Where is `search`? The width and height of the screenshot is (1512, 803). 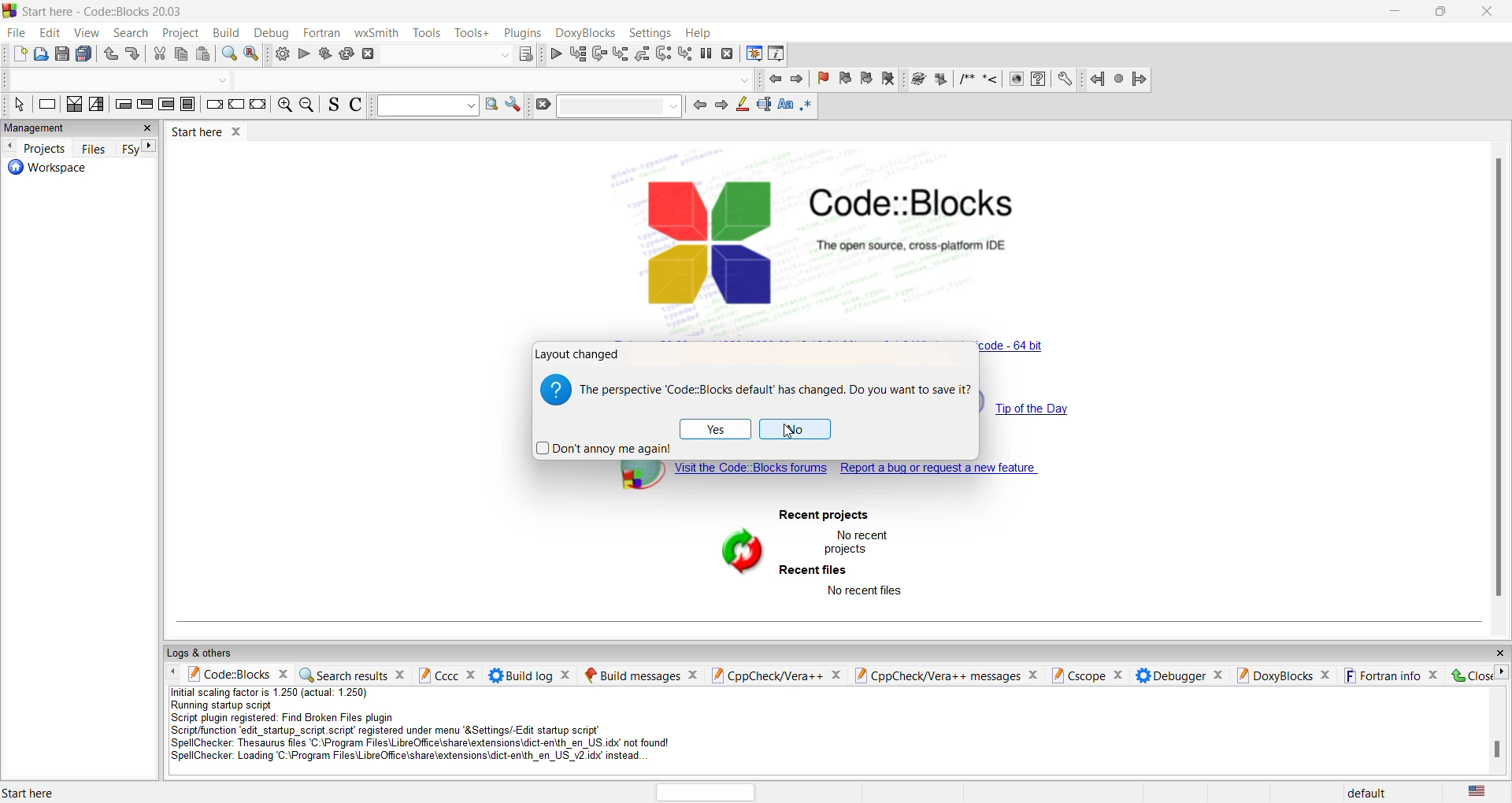
search is located at coordinates (129, 34).